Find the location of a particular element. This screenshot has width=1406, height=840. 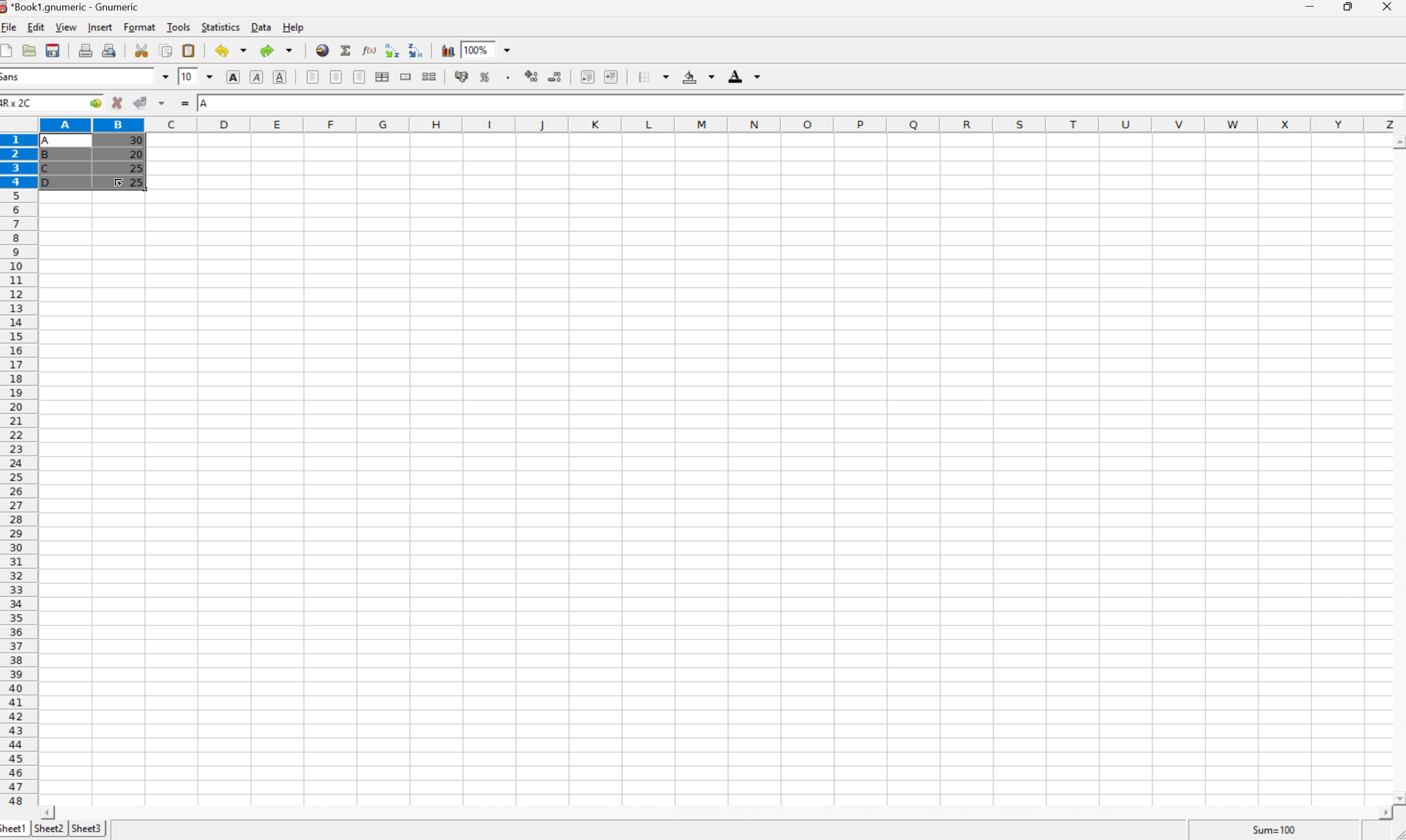

Drop Down is located at coordinates (164, 76).